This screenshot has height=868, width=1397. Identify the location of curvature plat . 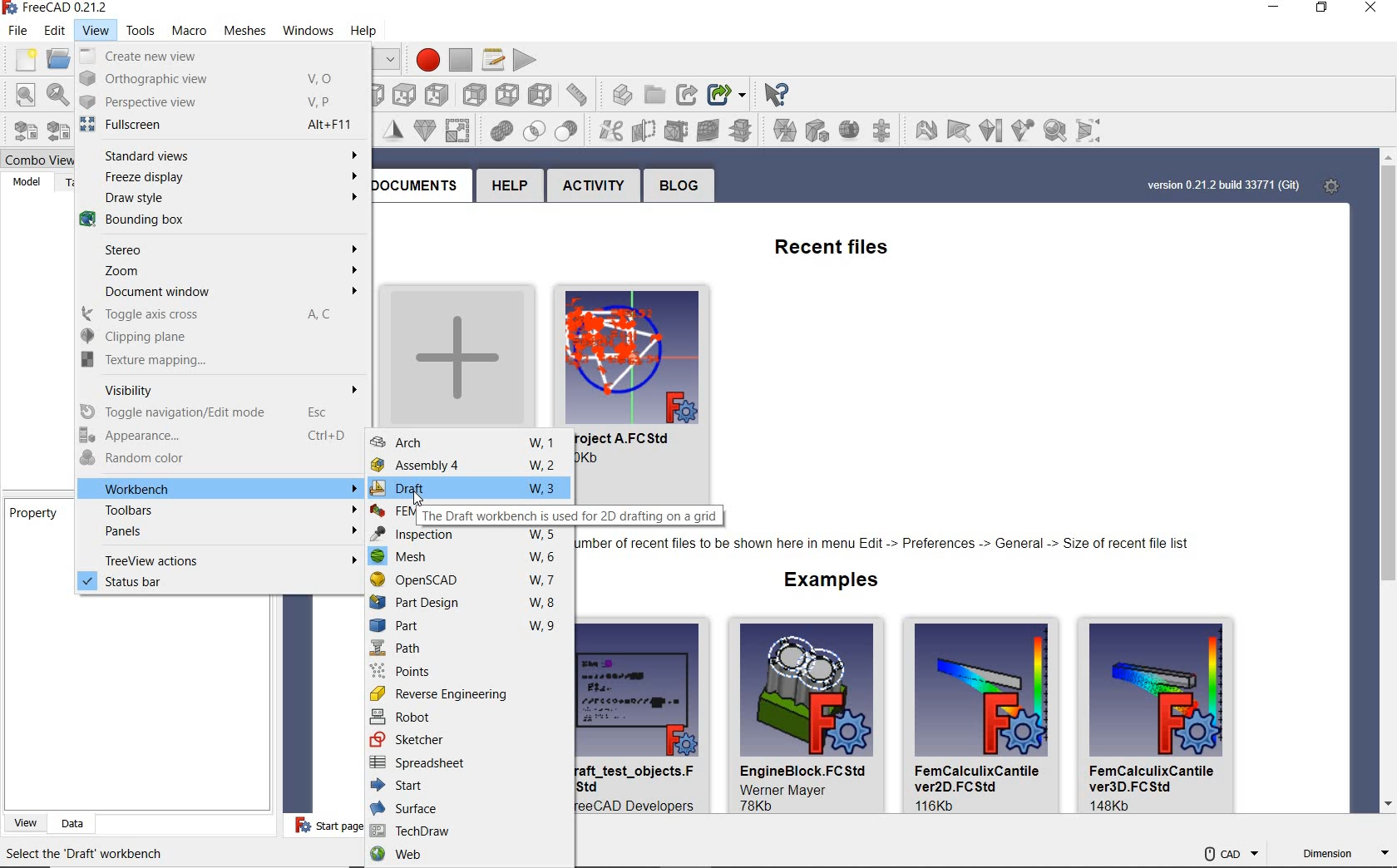
(990, 132).